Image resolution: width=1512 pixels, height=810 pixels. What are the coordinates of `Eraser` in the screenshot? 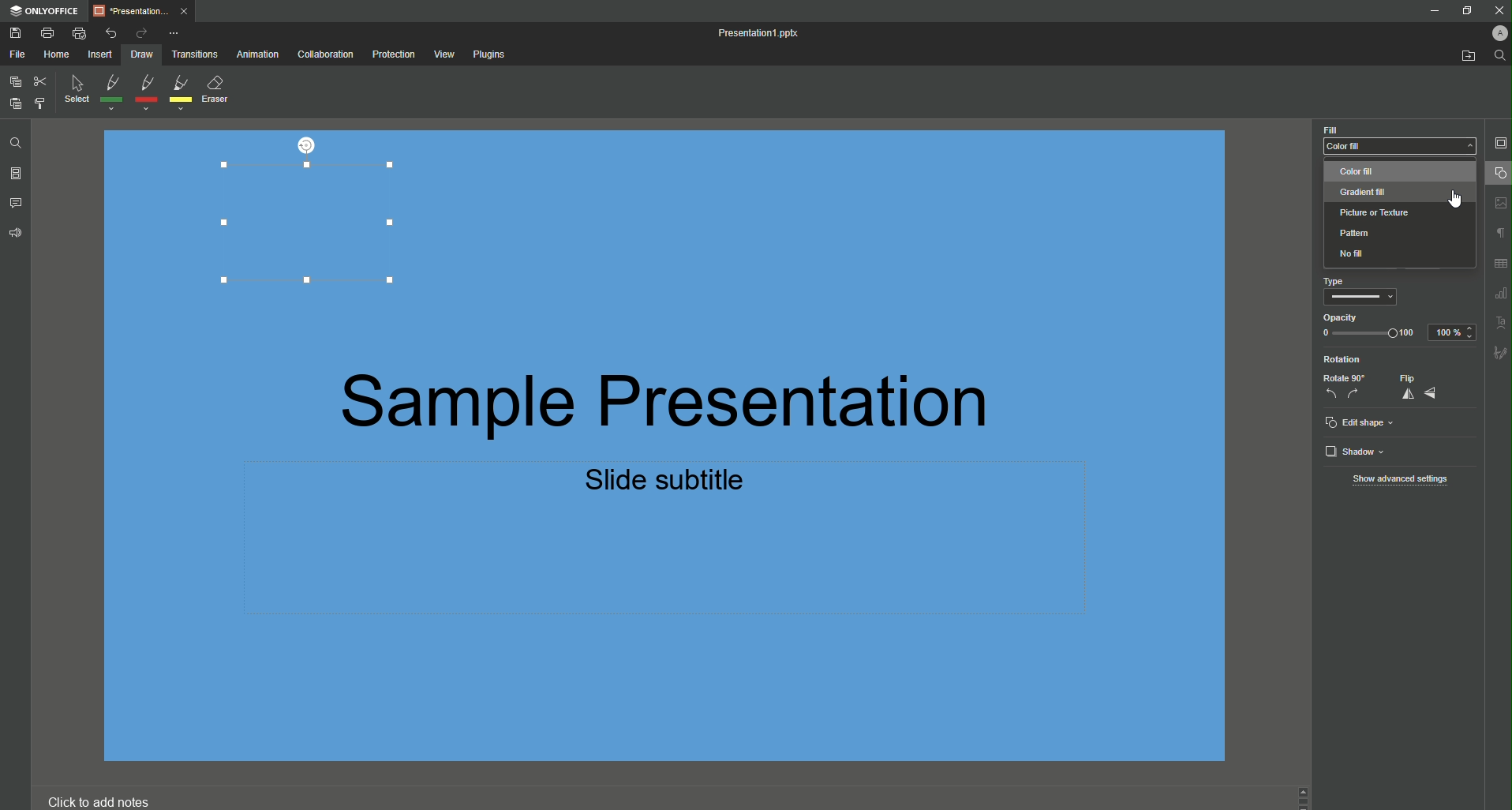 It's located at (221, 91).